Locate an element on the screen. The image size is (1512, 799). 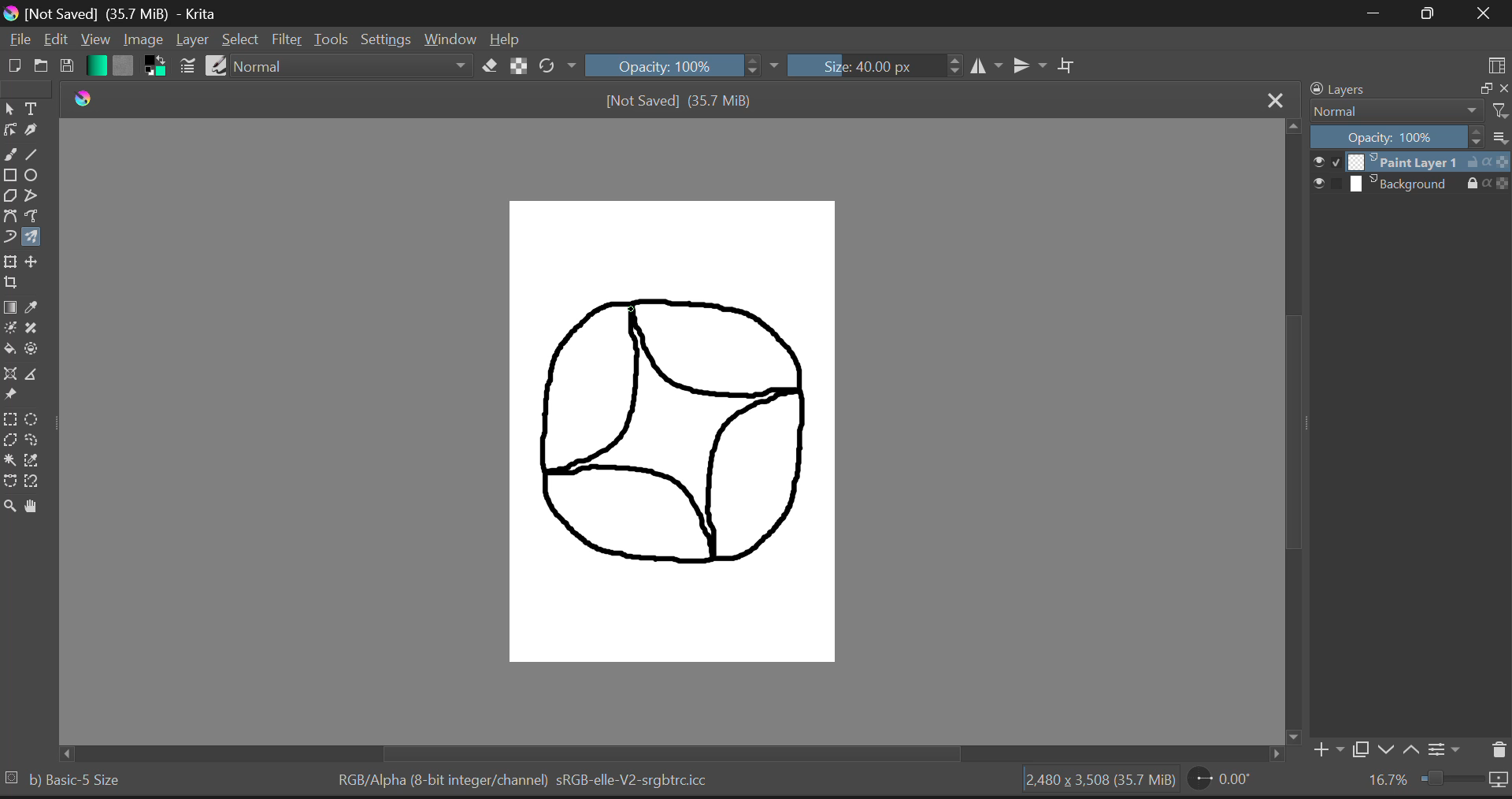
Zoom is located at coordinates (10, 508).